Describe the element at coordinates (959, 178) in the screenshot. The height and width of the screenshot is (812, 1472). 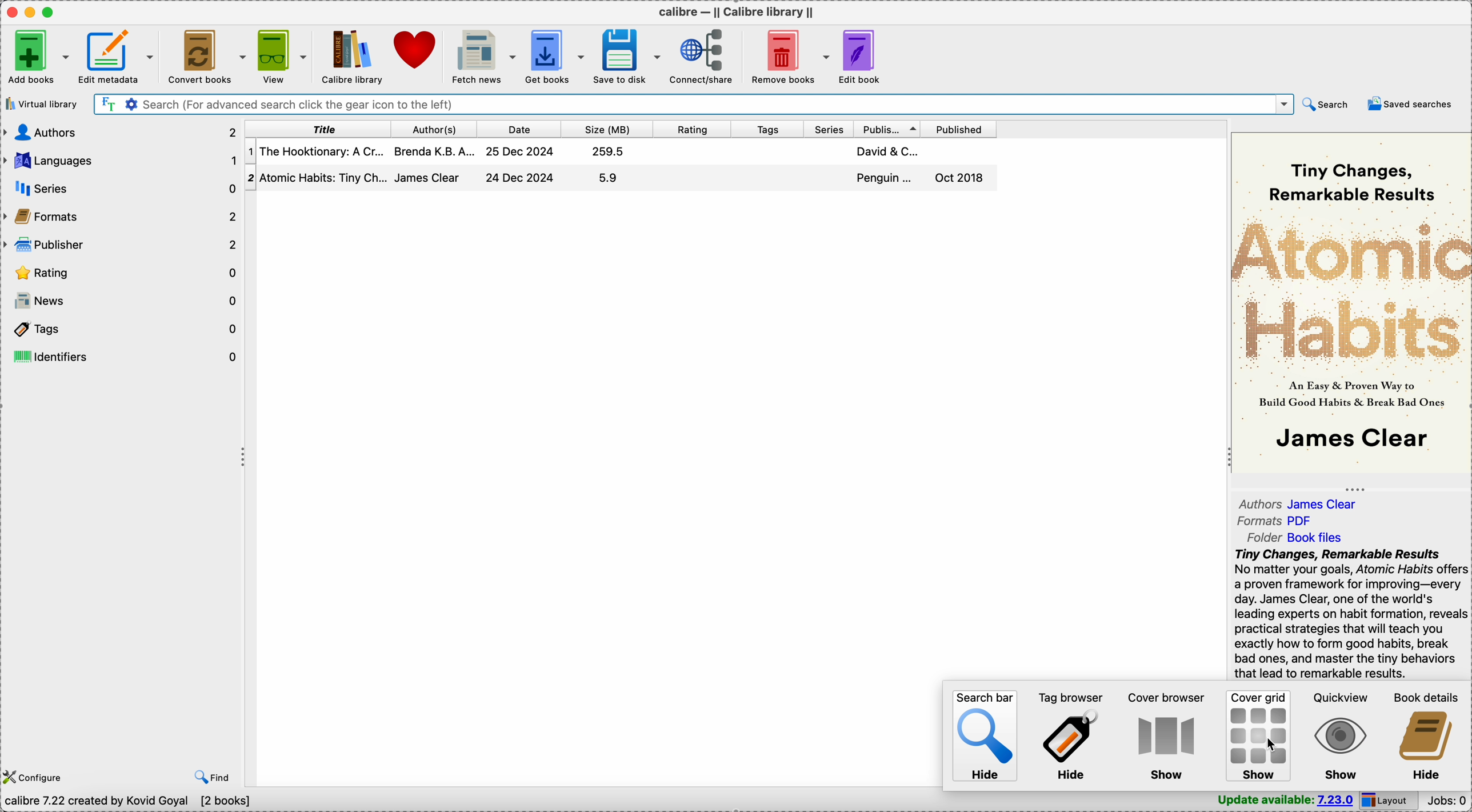
I see `Oct 2018` at that location.